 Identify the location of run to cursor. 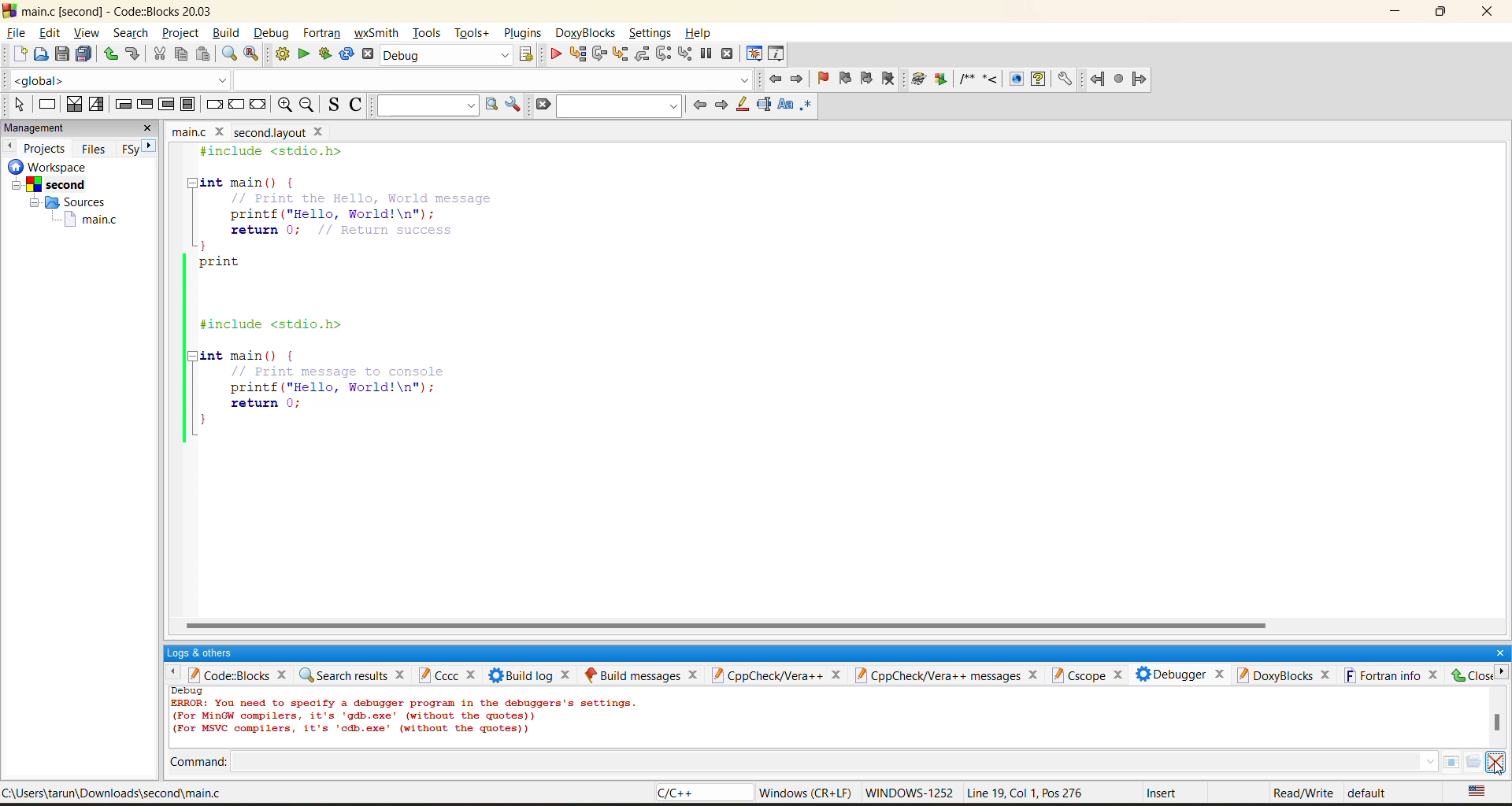
(576, 54).